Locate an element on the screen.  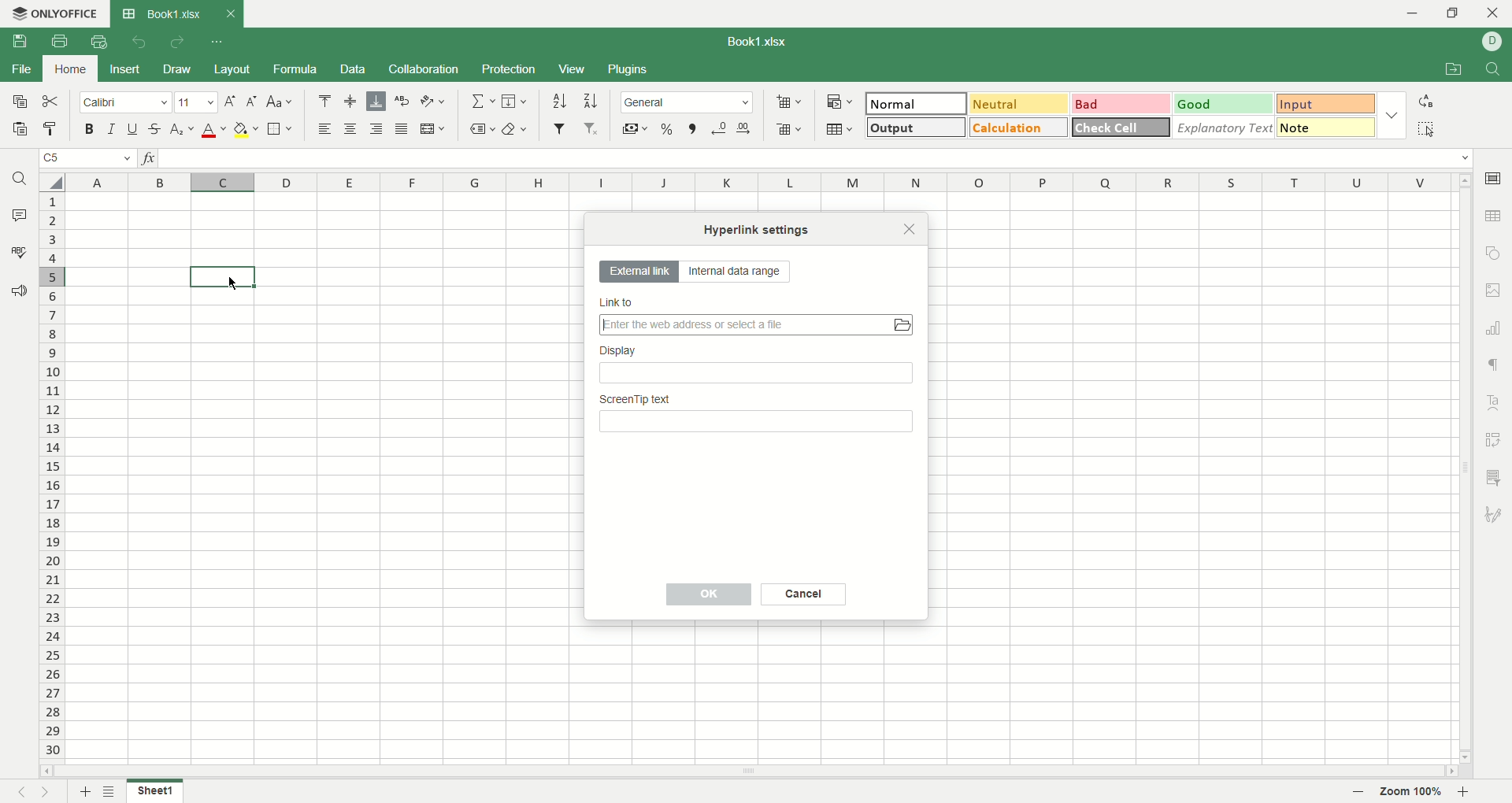
FIND is located at coordinates (1490, 70).